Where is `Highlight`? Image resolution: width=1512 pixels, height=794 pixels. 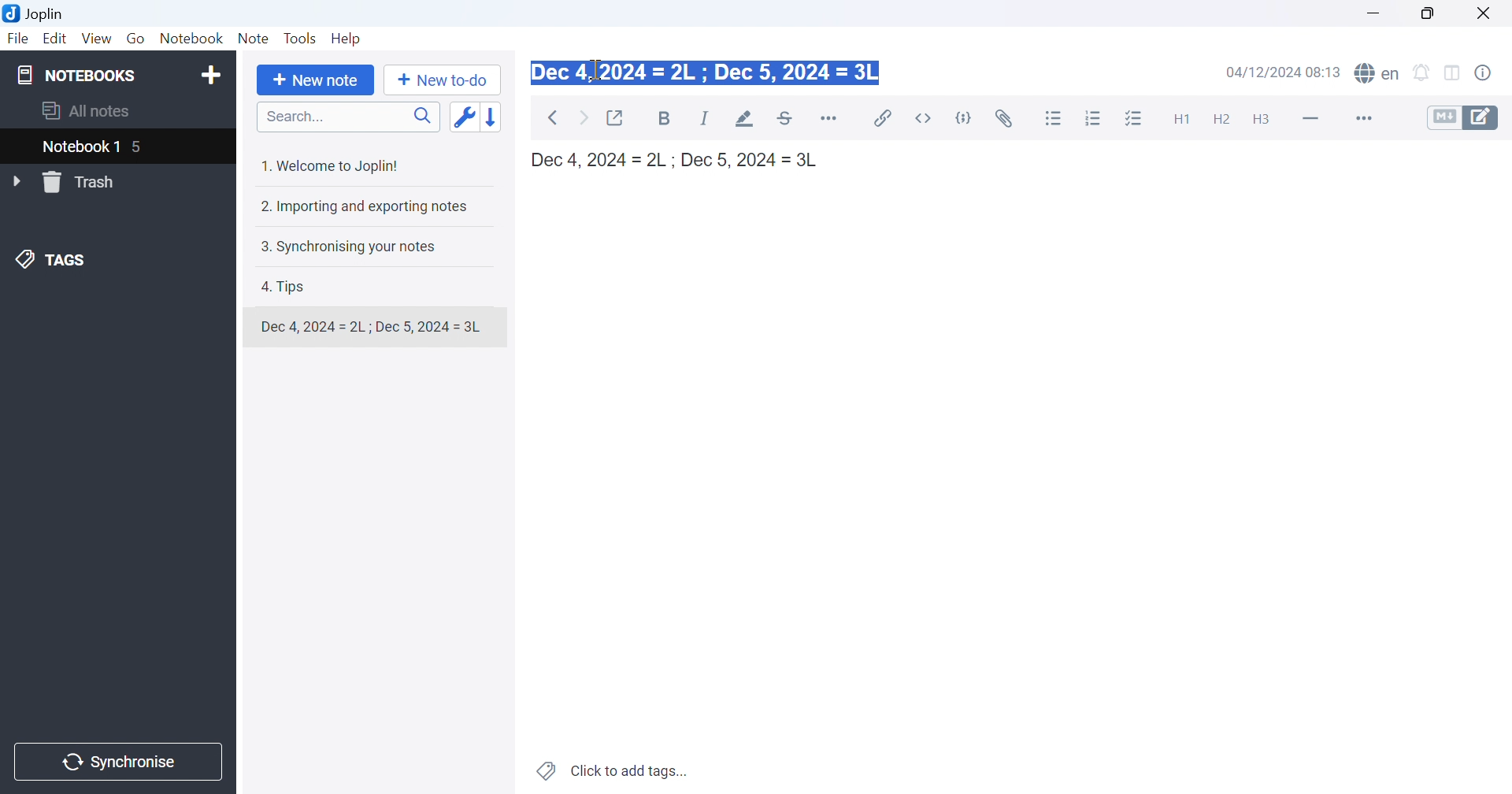
Highlight is located at coordinates (743, 118).